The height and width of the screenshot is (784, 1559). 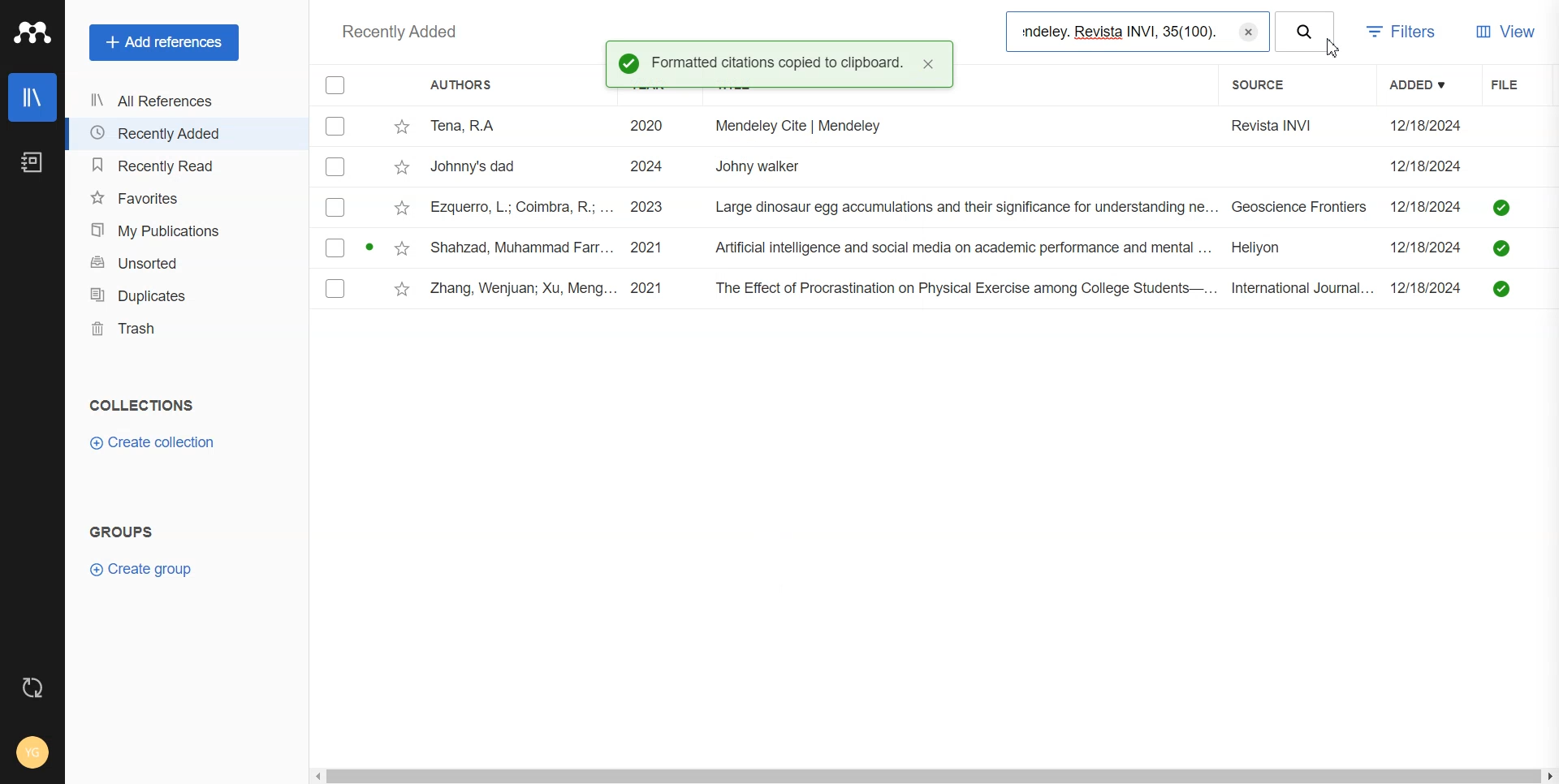 I want to click on Johnny's dad 2024 Johny walker, so click(x=901, y=169).